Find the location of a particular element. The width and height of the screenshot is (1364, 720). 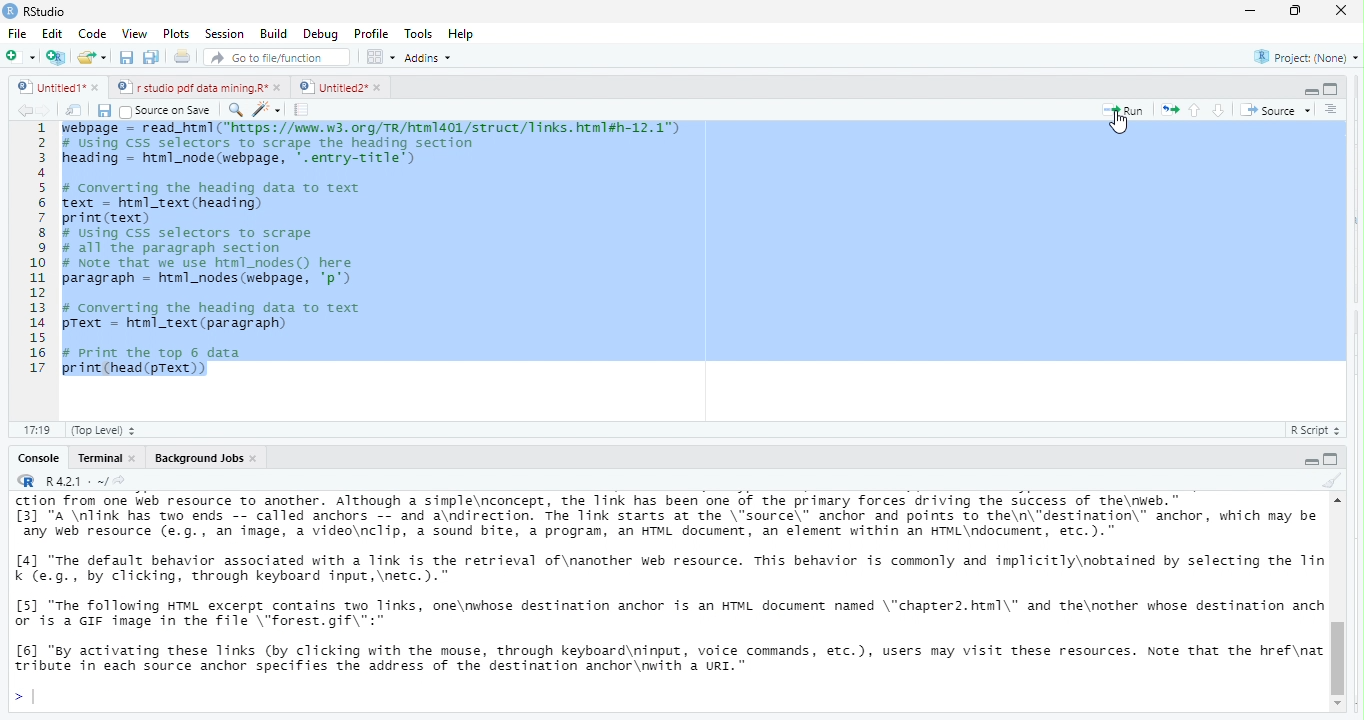

View is located at coordinates (133, 35).